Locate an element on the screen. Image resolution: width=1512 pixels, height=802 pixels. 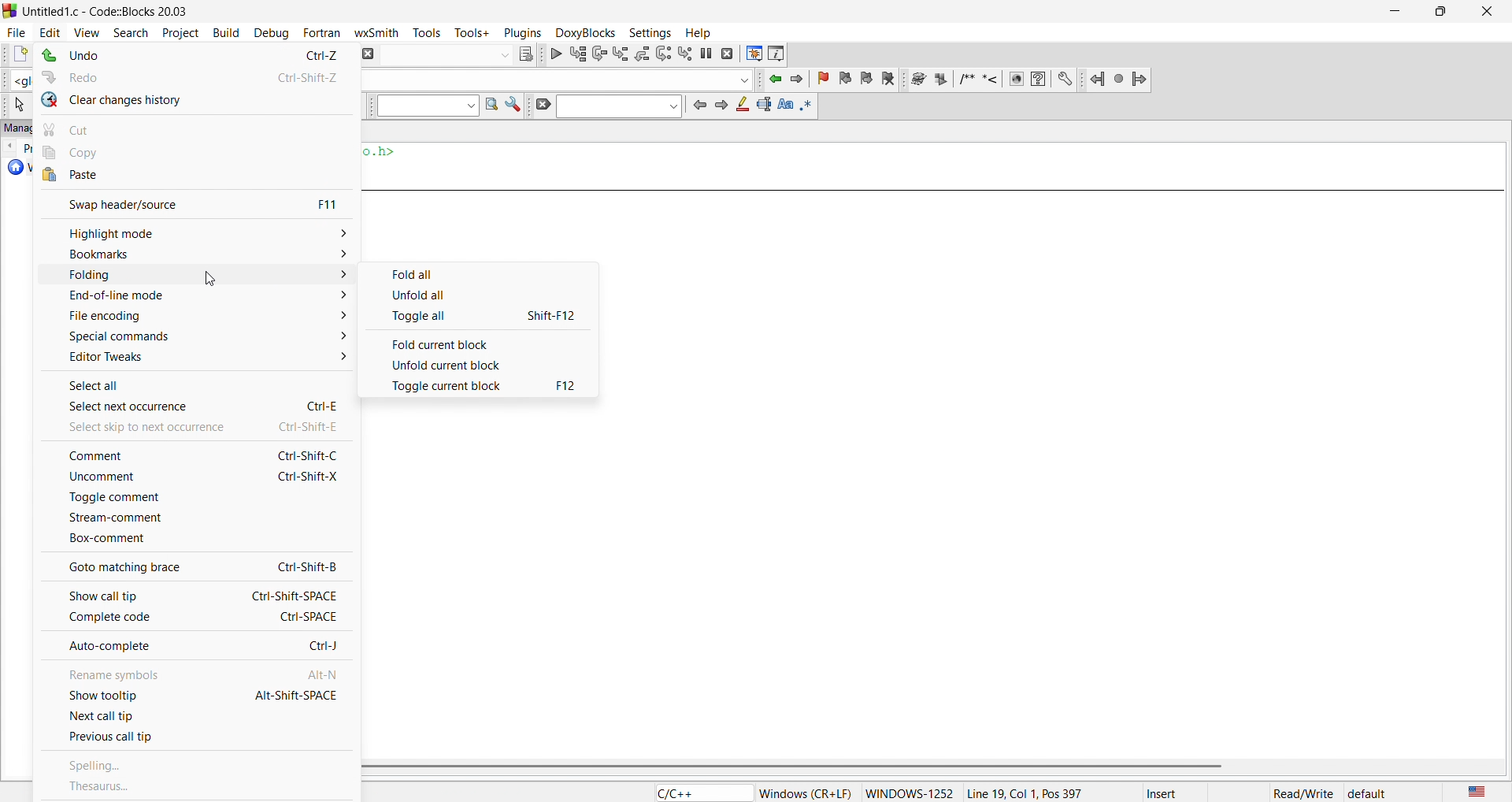
title bar is located at coordinates (110, 12).